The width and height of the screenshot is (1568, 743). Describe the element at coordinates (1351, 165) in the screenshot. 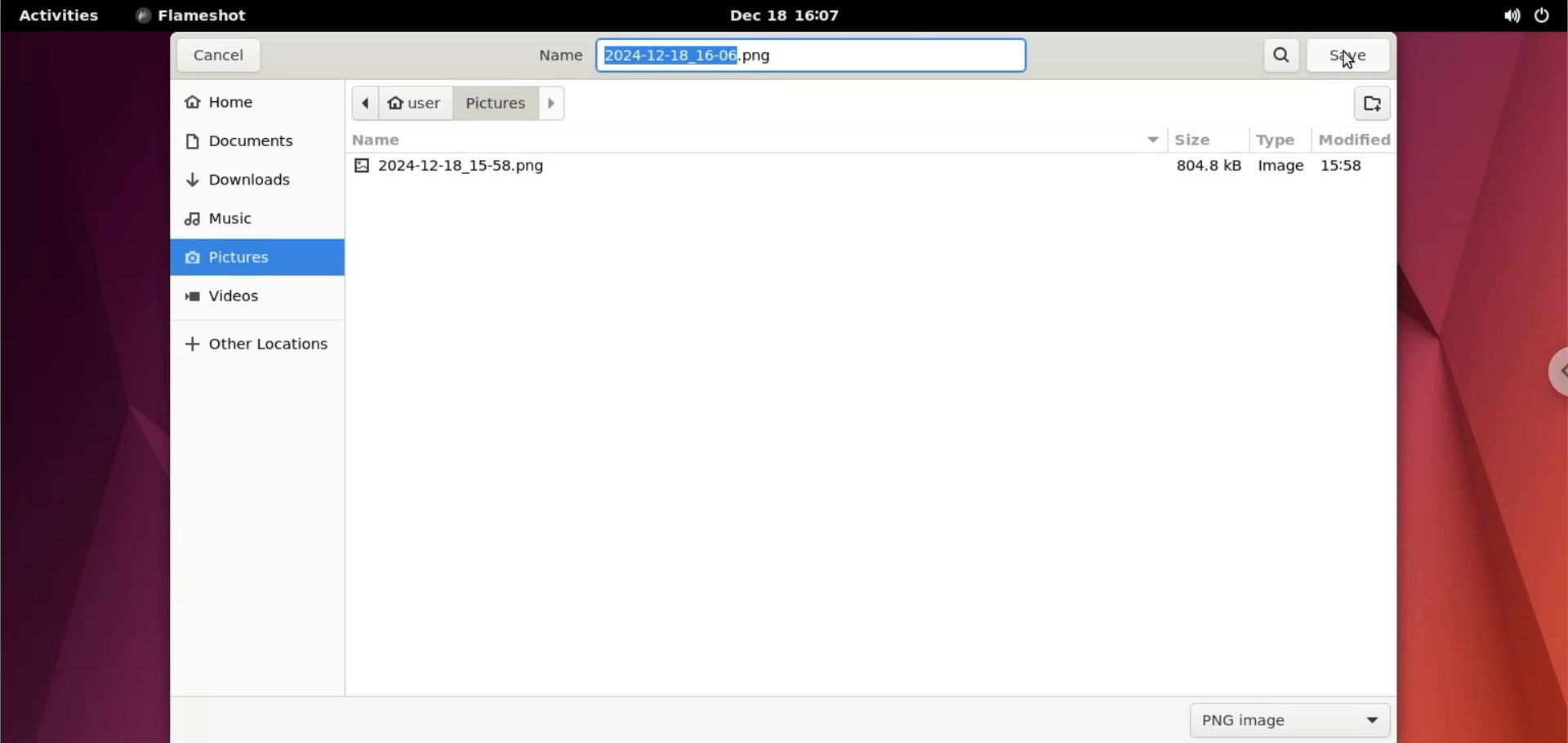

I see `date modified` at that location.